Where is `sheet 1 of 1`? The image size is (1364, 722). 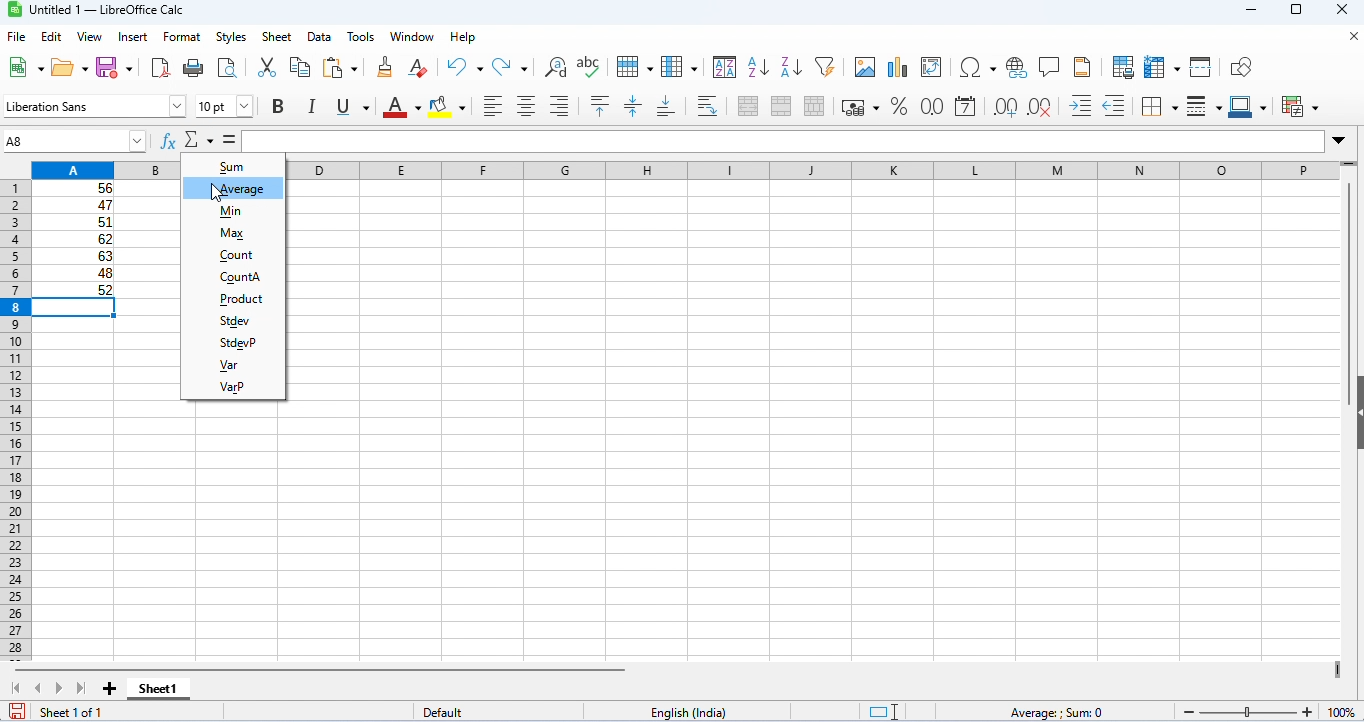
sheet 1 of 1 is located at coordinates (72, 712).